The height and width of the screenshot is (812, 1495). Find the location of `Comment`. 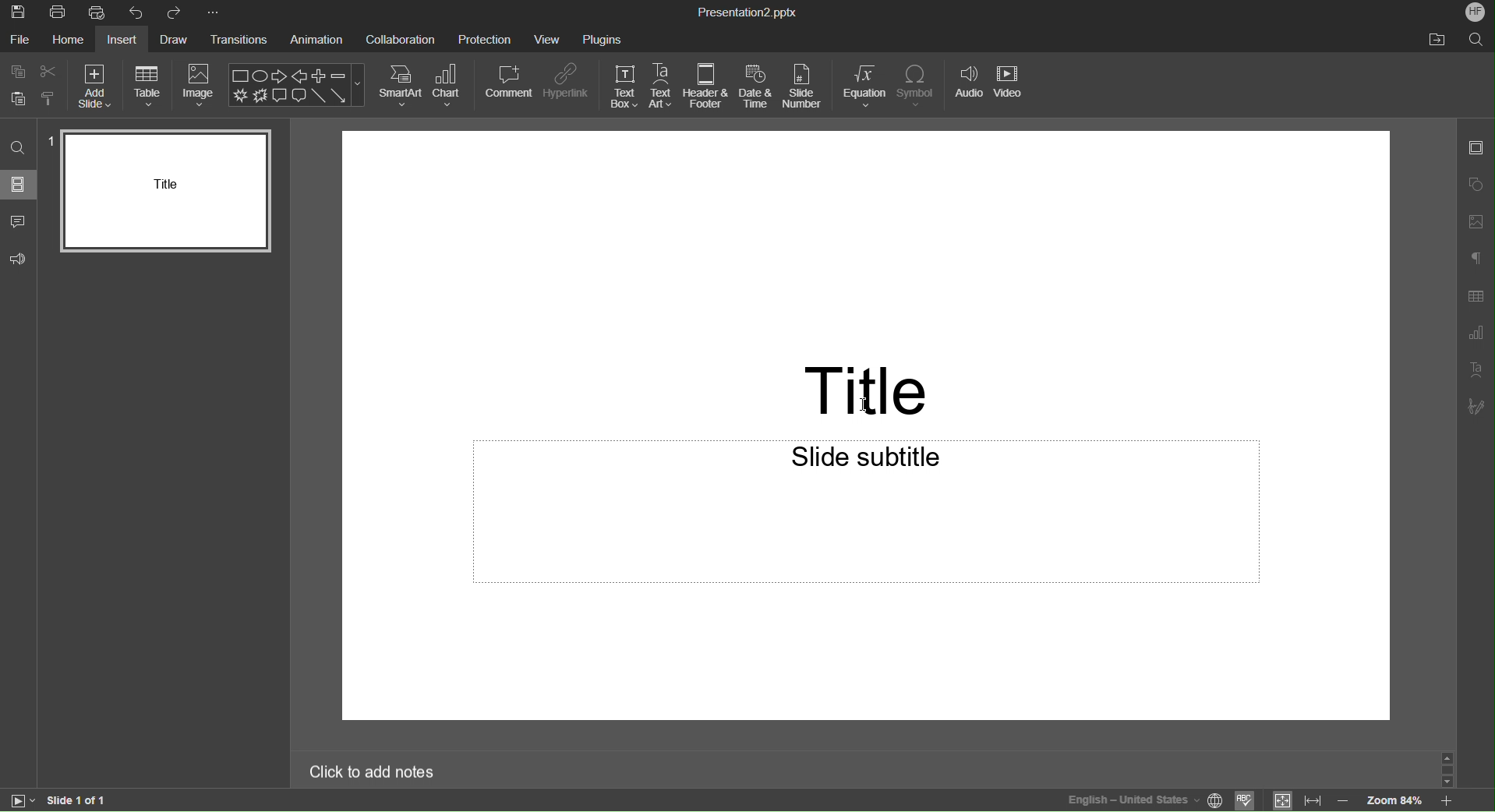

Comment is located at coordinates (510, 86).